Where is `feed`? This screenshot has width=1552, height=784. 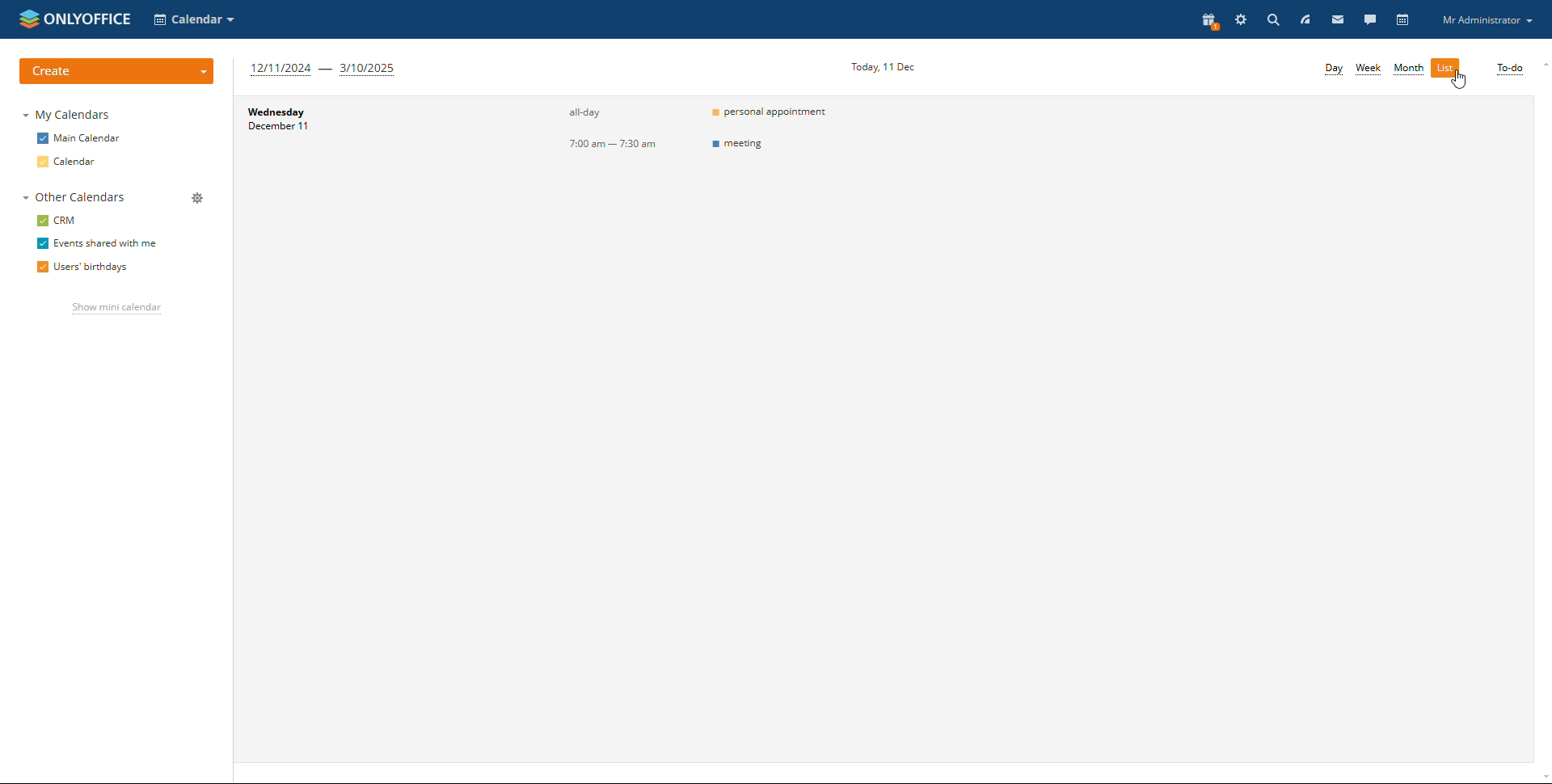
feed is located at coordinates (1306, 20).